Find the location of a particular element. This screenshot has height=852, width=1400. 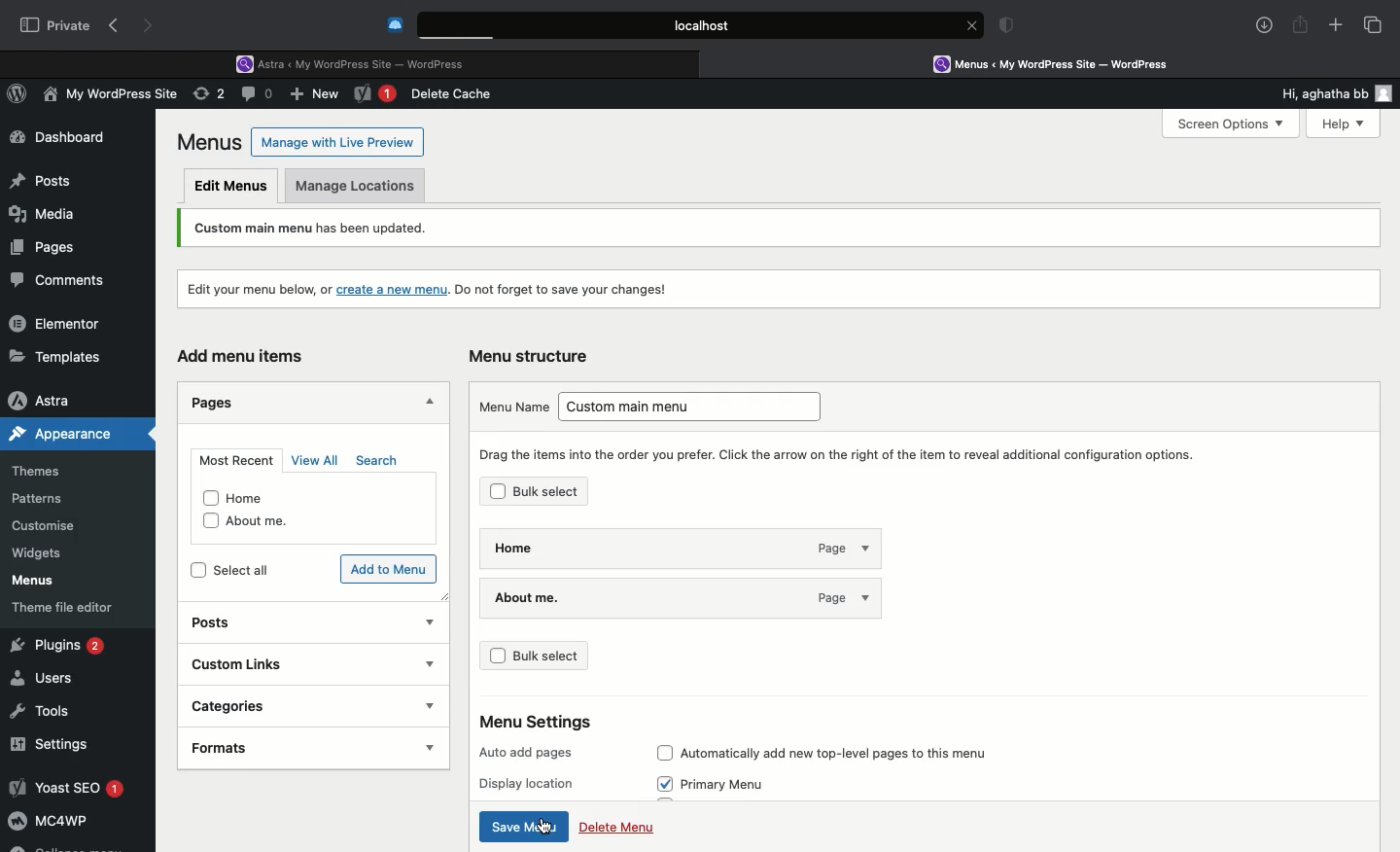

Manage with Live Preview is located at coordinates (338, 141).